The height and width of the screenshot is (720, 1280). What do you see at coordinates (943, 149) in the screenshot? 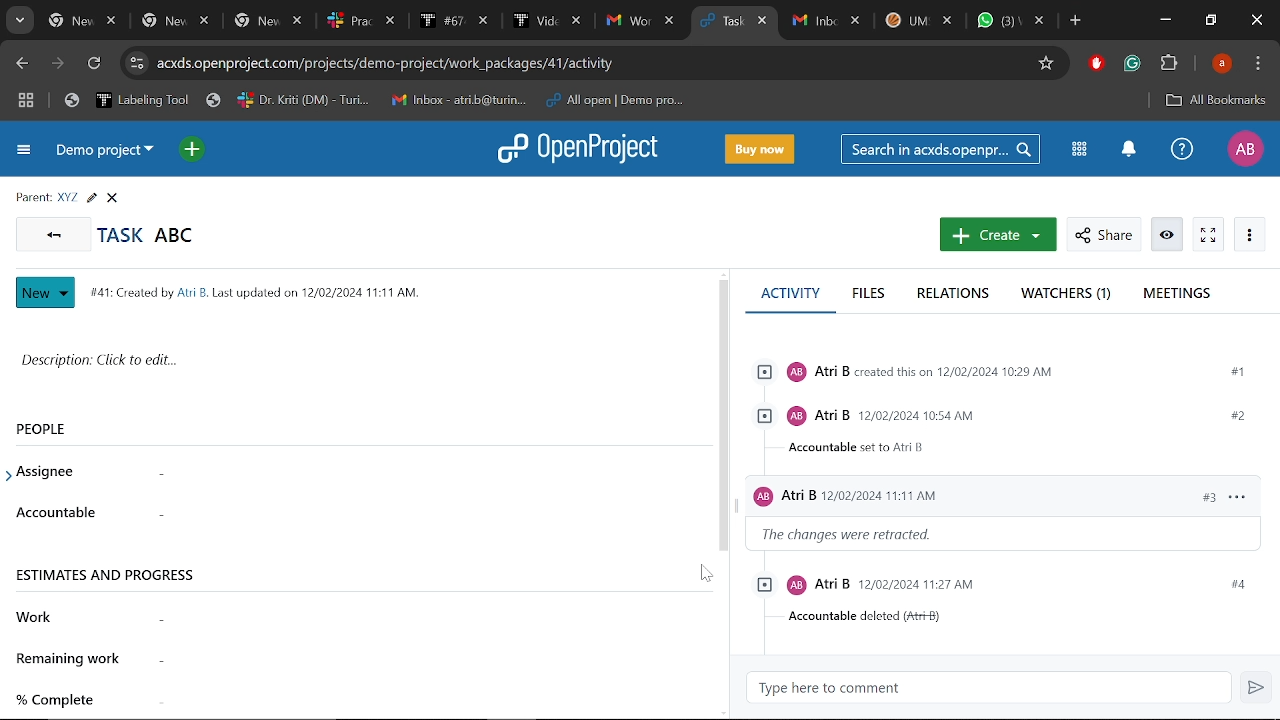
I see `Search in acxds.openproject` at bounding box center [943, 149].